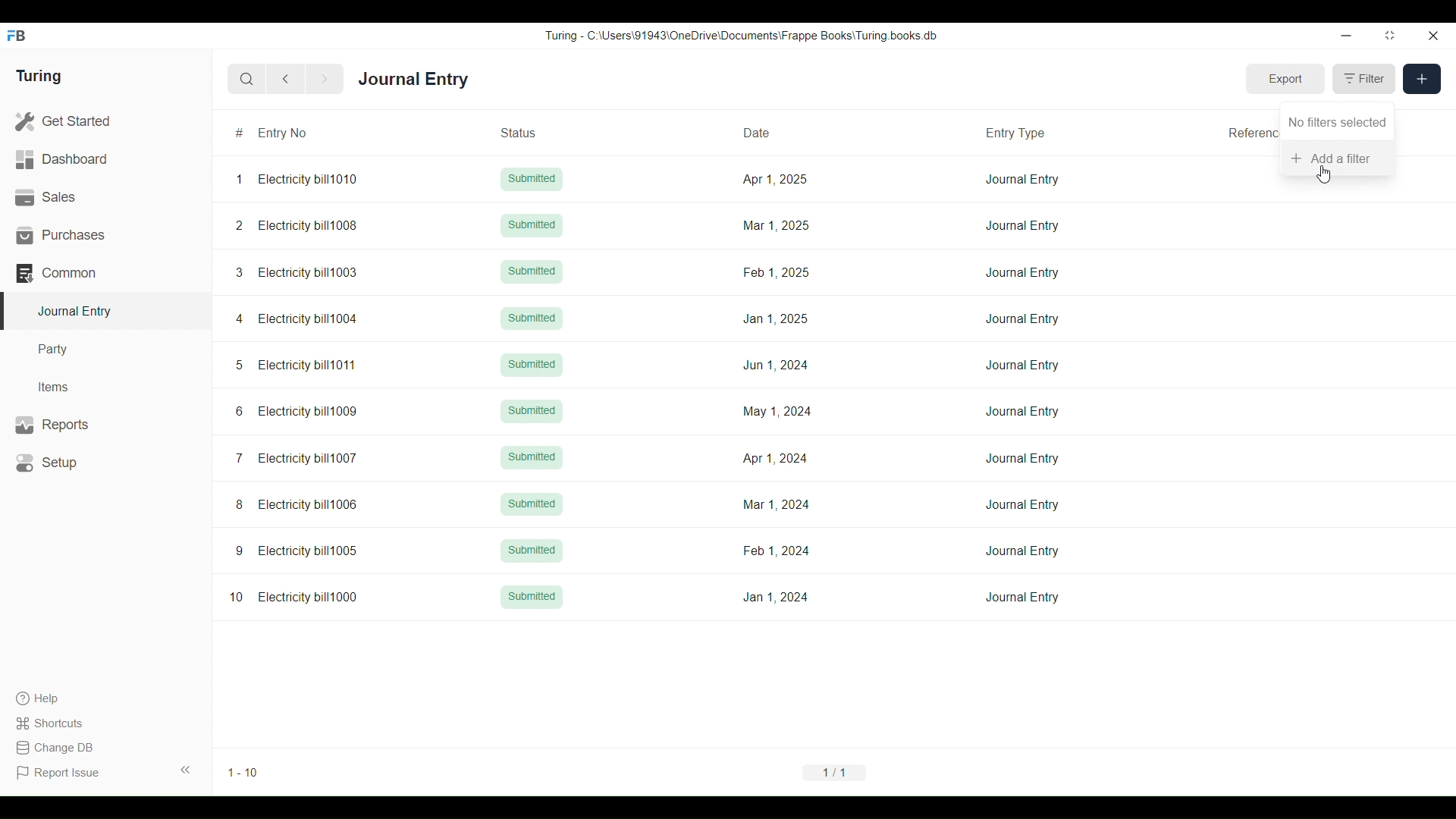 The image size is (1456, 819). I want to click on Submitted, so click(532, 412).